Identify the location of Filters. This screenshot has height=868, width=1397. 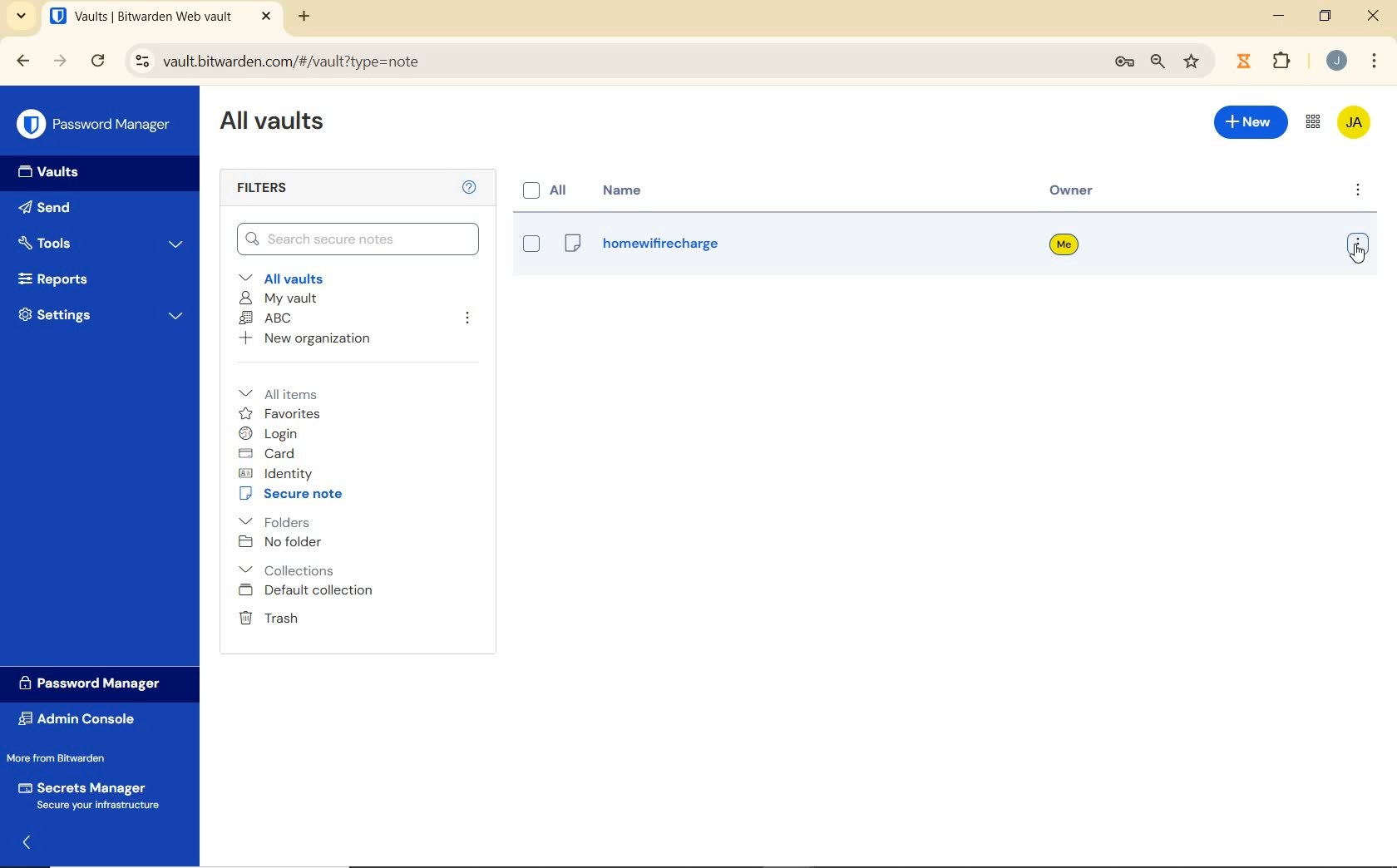
(281, 189).